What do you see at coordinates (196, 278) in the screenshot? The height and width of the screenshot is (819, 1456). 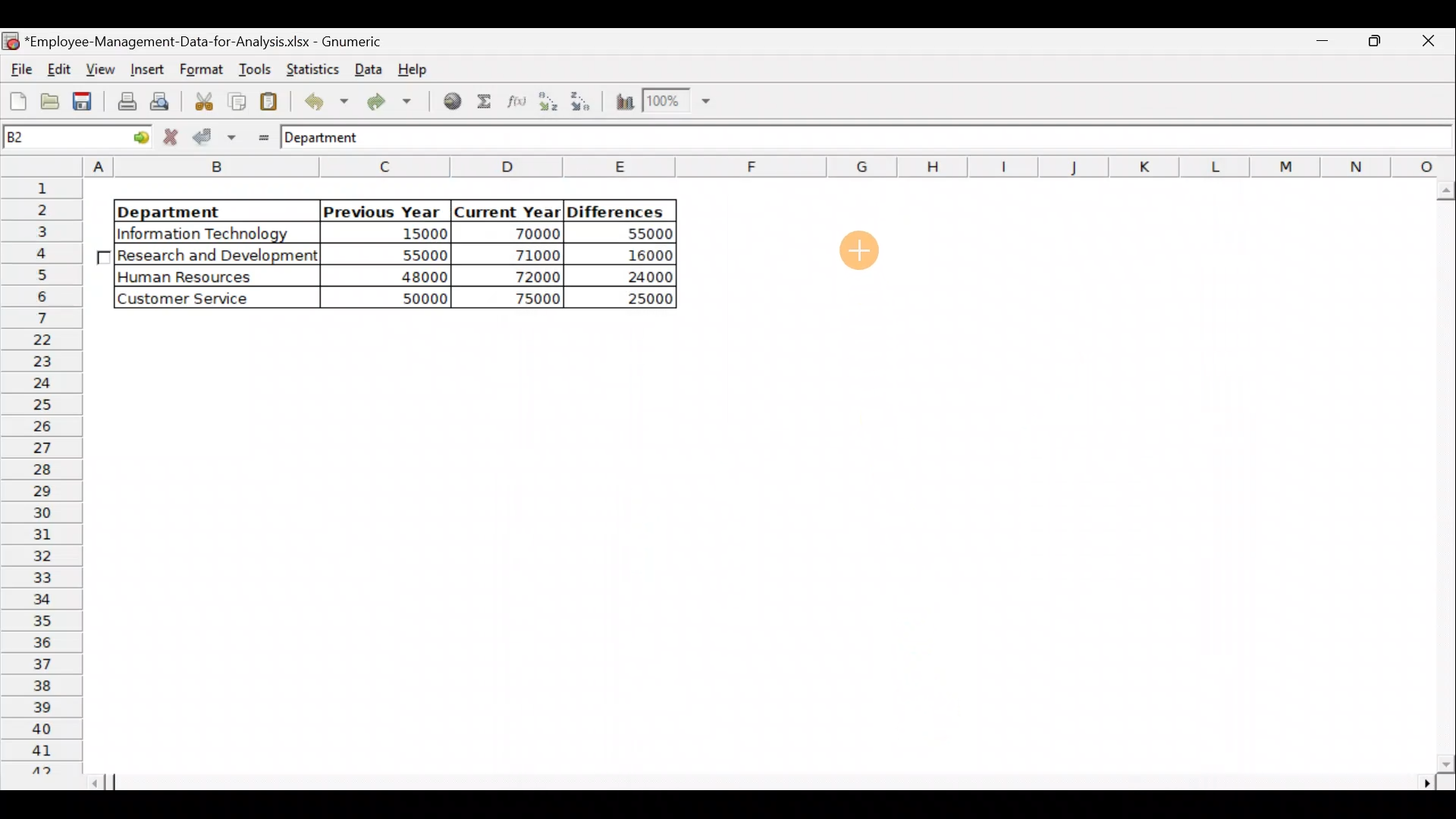 I see `Human Resources` at bounding box center [196, 278].